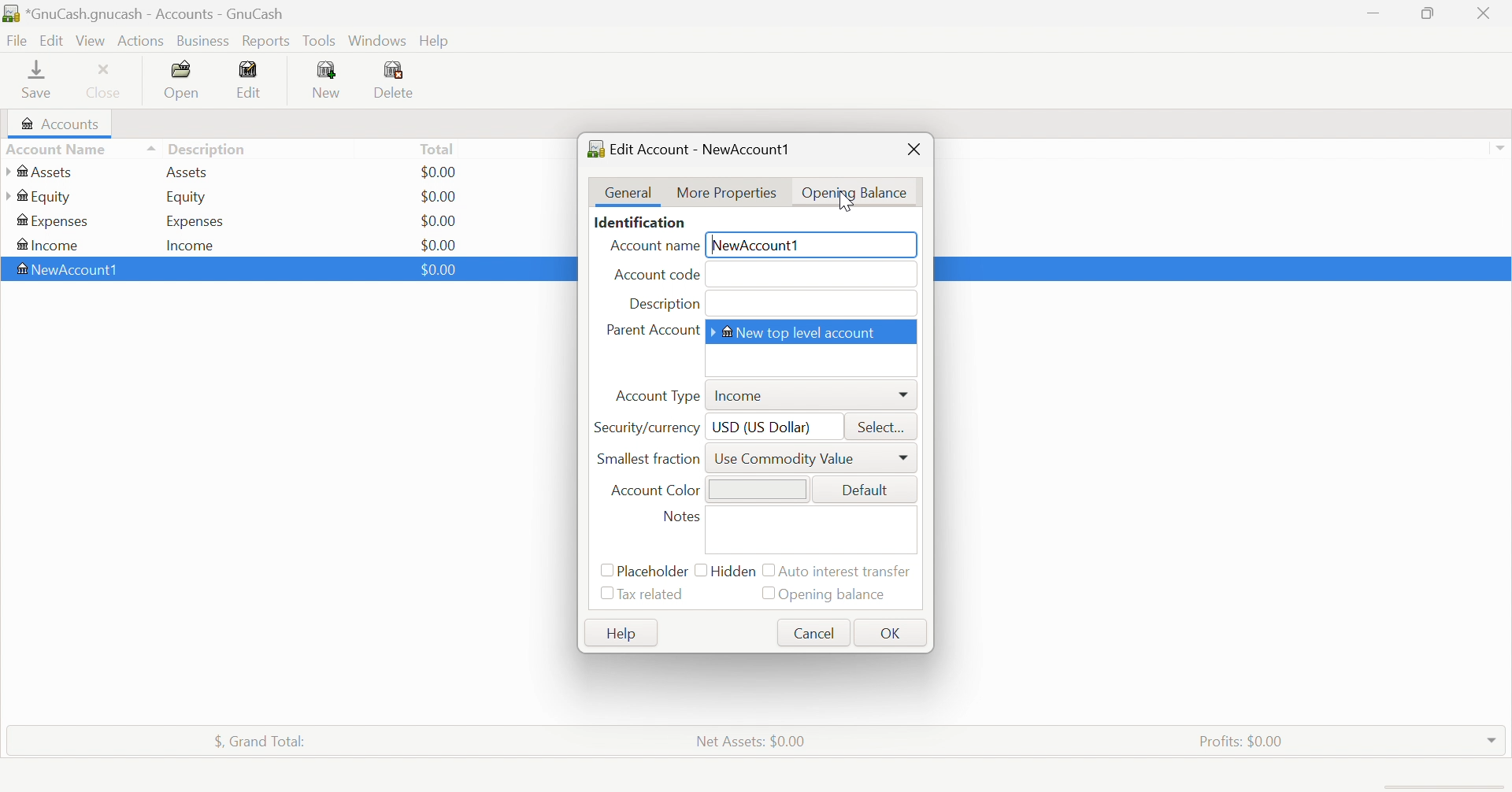  What do you see at coordinates (736, 575) in the screenshot?
I see `Hidden` at bounding box center [736, 575].